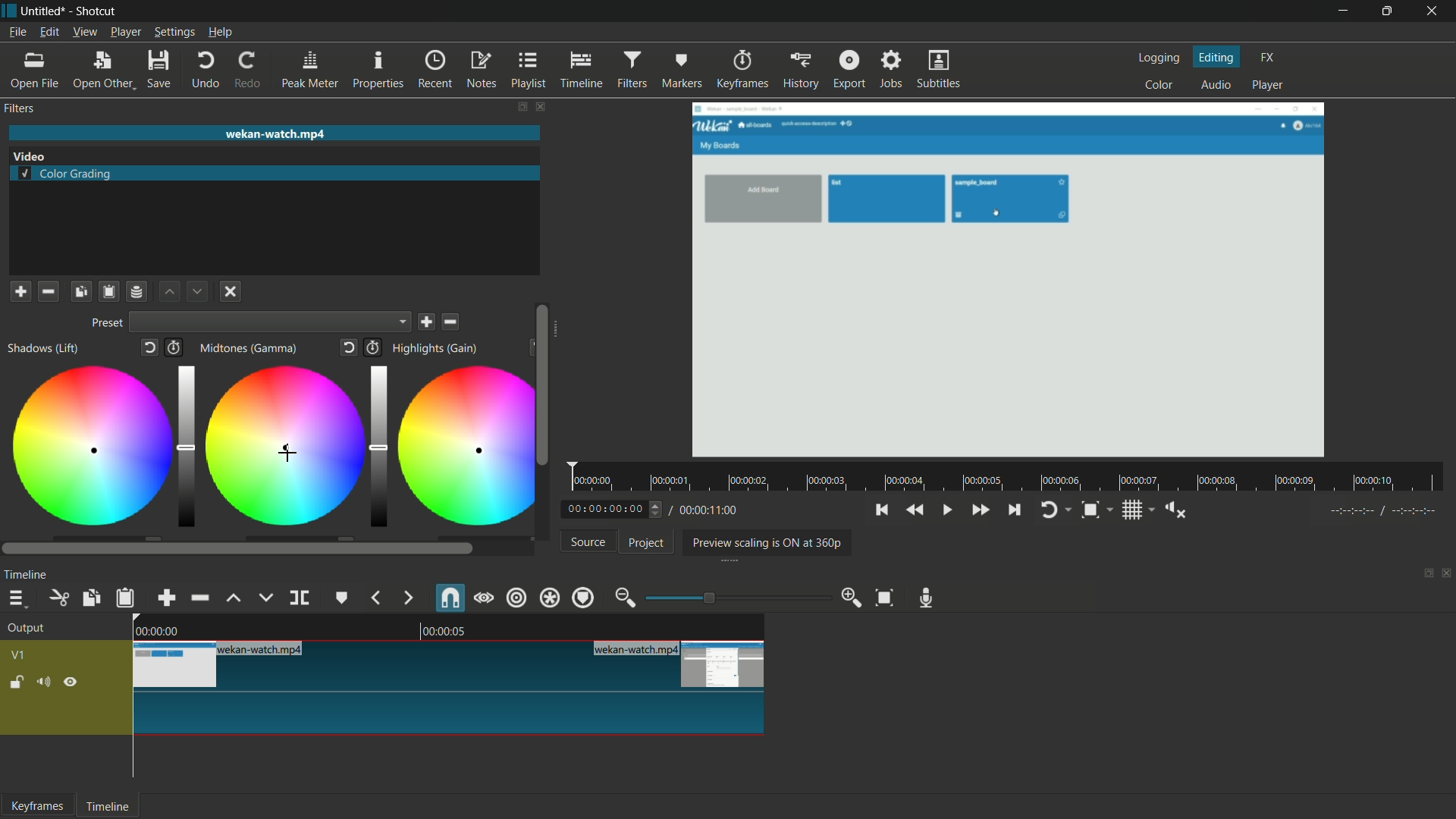  Describe the element at coordinates (45, 348) in the screenshot. I see `shadows(lift)` at that location.